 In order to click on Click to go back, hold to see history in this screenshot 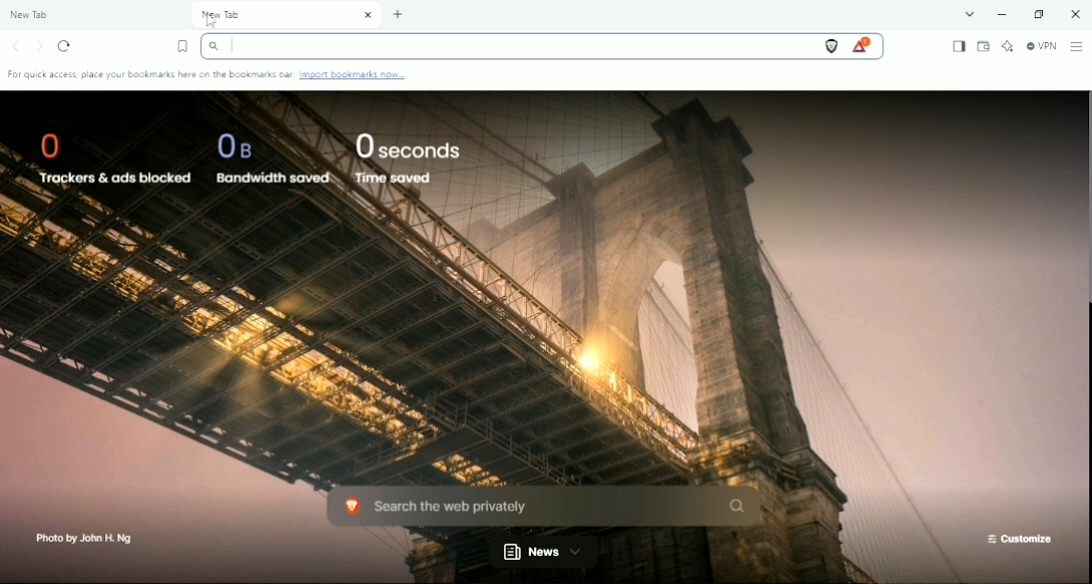, I will do `click(14, 46)`.